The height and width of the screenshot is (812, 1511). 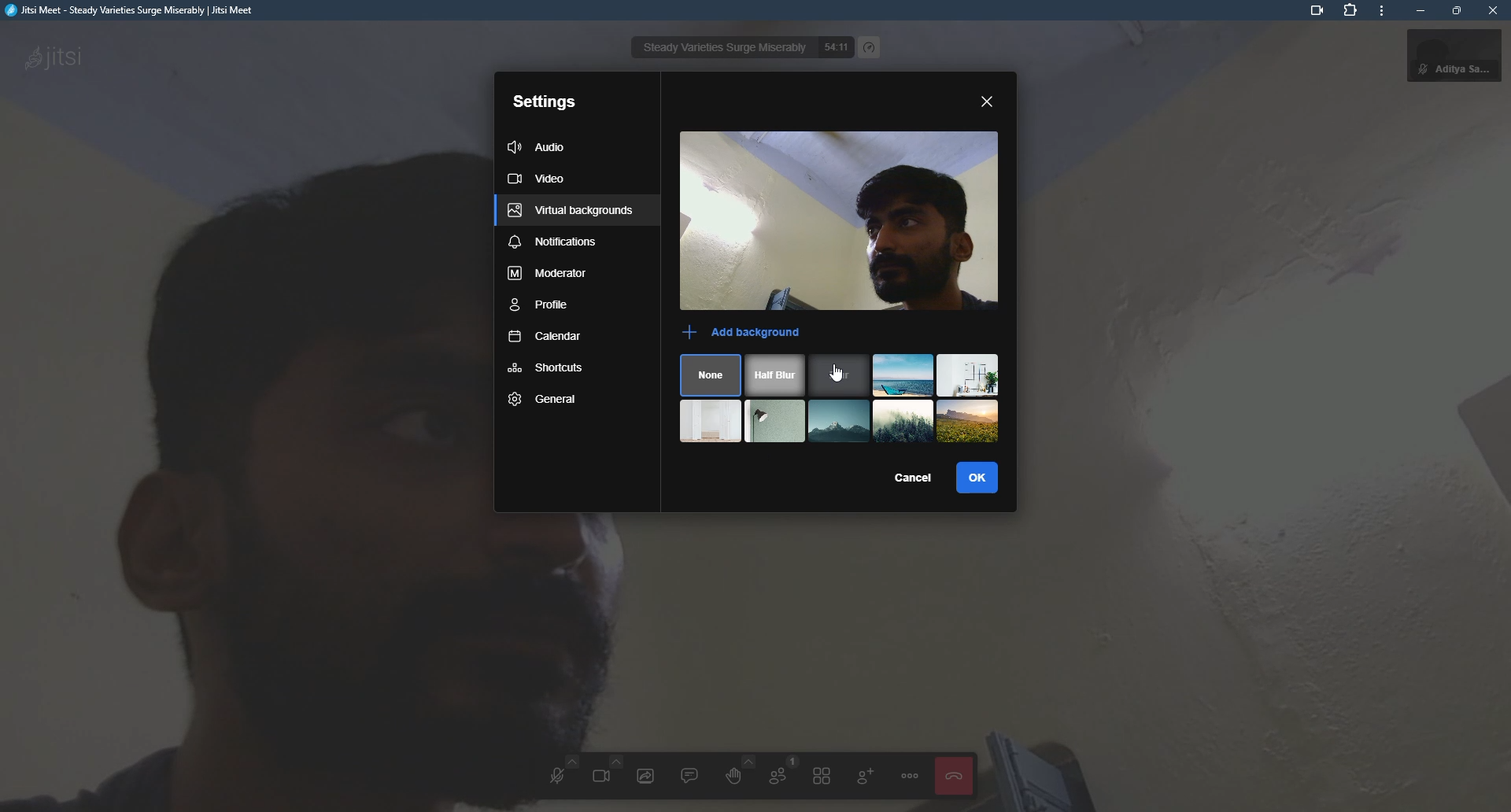 What do you see at coordinates (908, 474) in the screenshot?
I see `cancel` at bounding box center [908, 474].